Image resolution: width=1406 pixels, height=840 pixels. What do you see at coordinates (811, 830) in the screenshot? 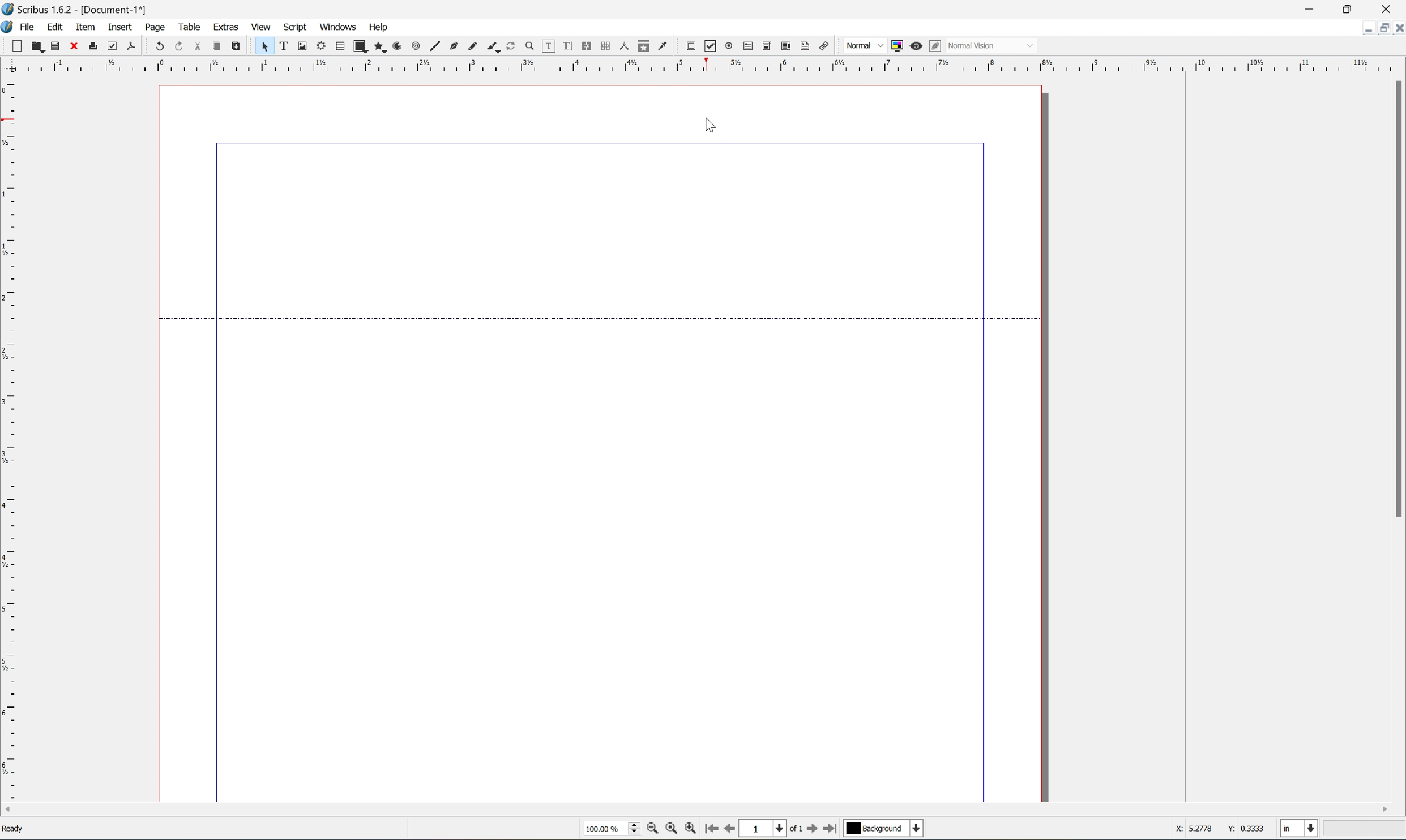
I see `go to first page` at bounding box center [811, 830].